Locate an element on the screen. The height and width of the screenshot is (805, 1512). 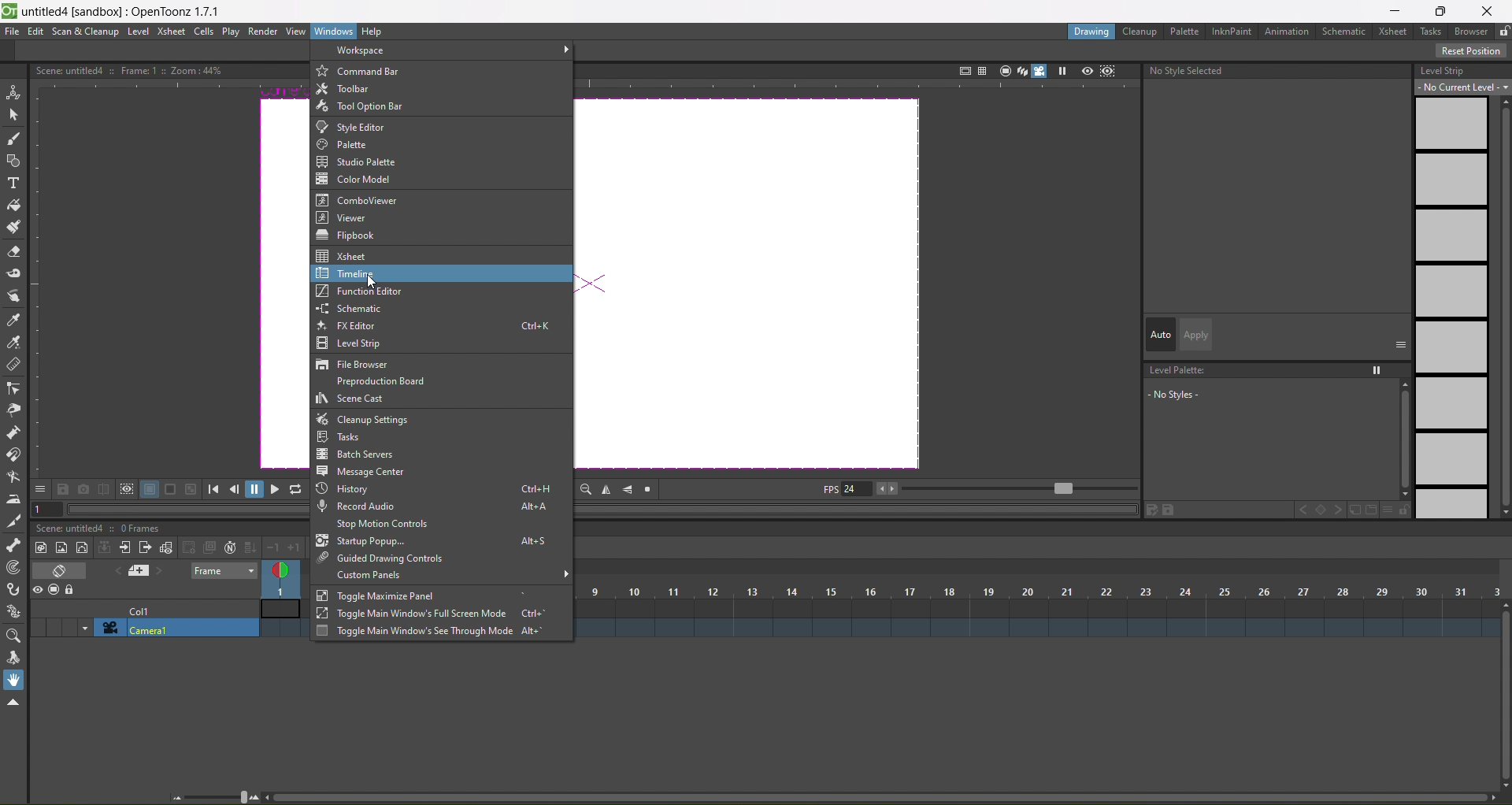
drawing is located at coordinates (1091, 32).